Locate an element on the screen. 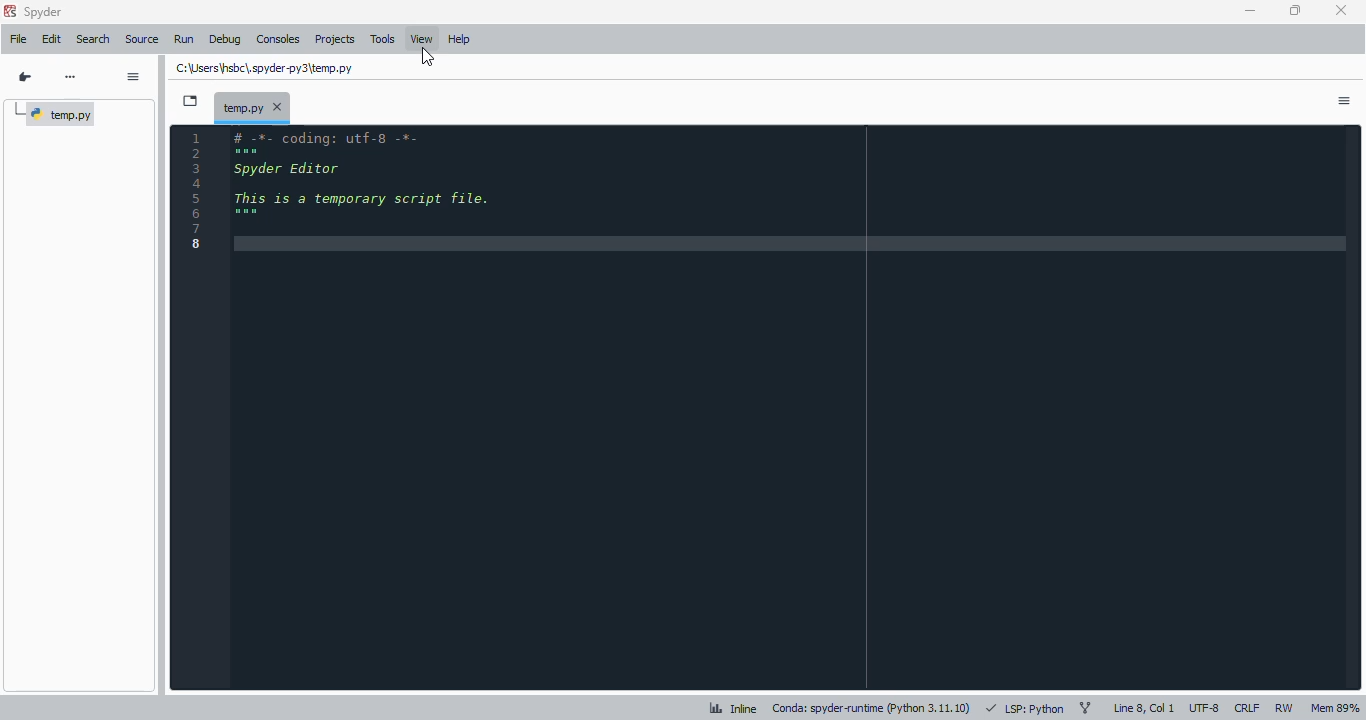 This screenshot has height=720, width=1366. browse tabs is located at coordinates (190, 101).